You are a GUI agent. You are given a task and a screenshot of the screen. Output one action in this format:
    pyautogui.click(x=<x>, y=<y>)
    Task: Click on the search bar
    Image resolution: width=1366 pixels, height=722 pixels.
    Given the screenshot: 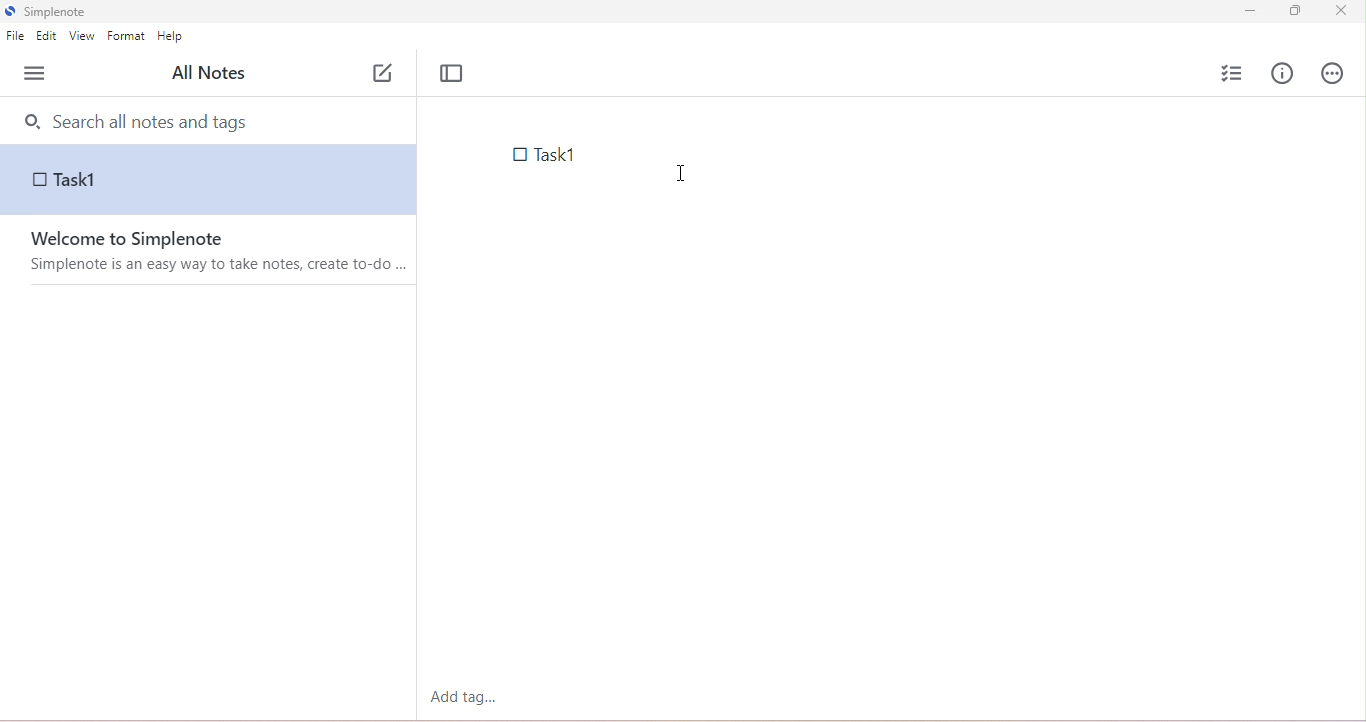 What is the action you would take?
    pyautogui.click(x=212, y=120)
    